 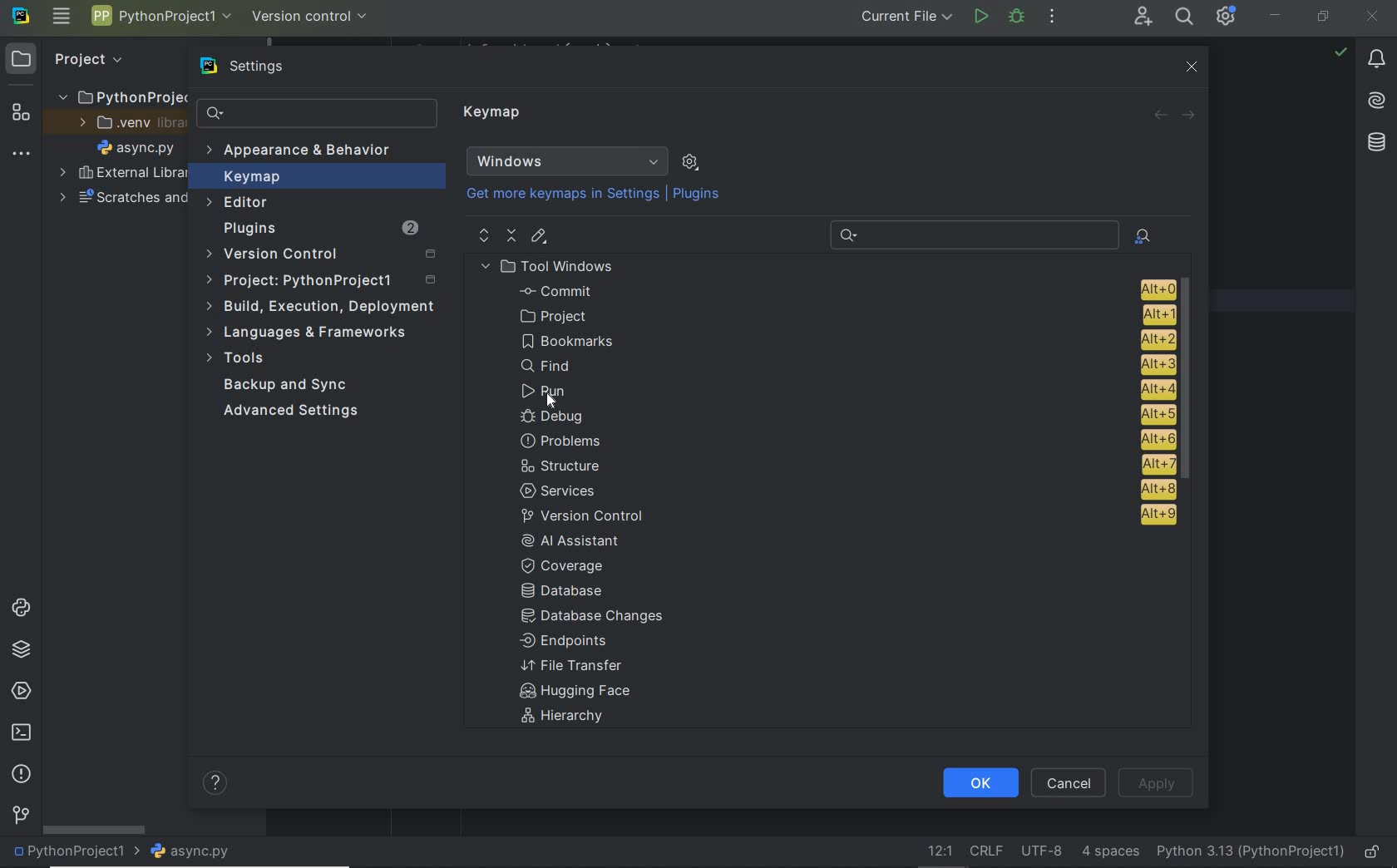 I want to click on Hierarchy, so click(x=571, y=718).